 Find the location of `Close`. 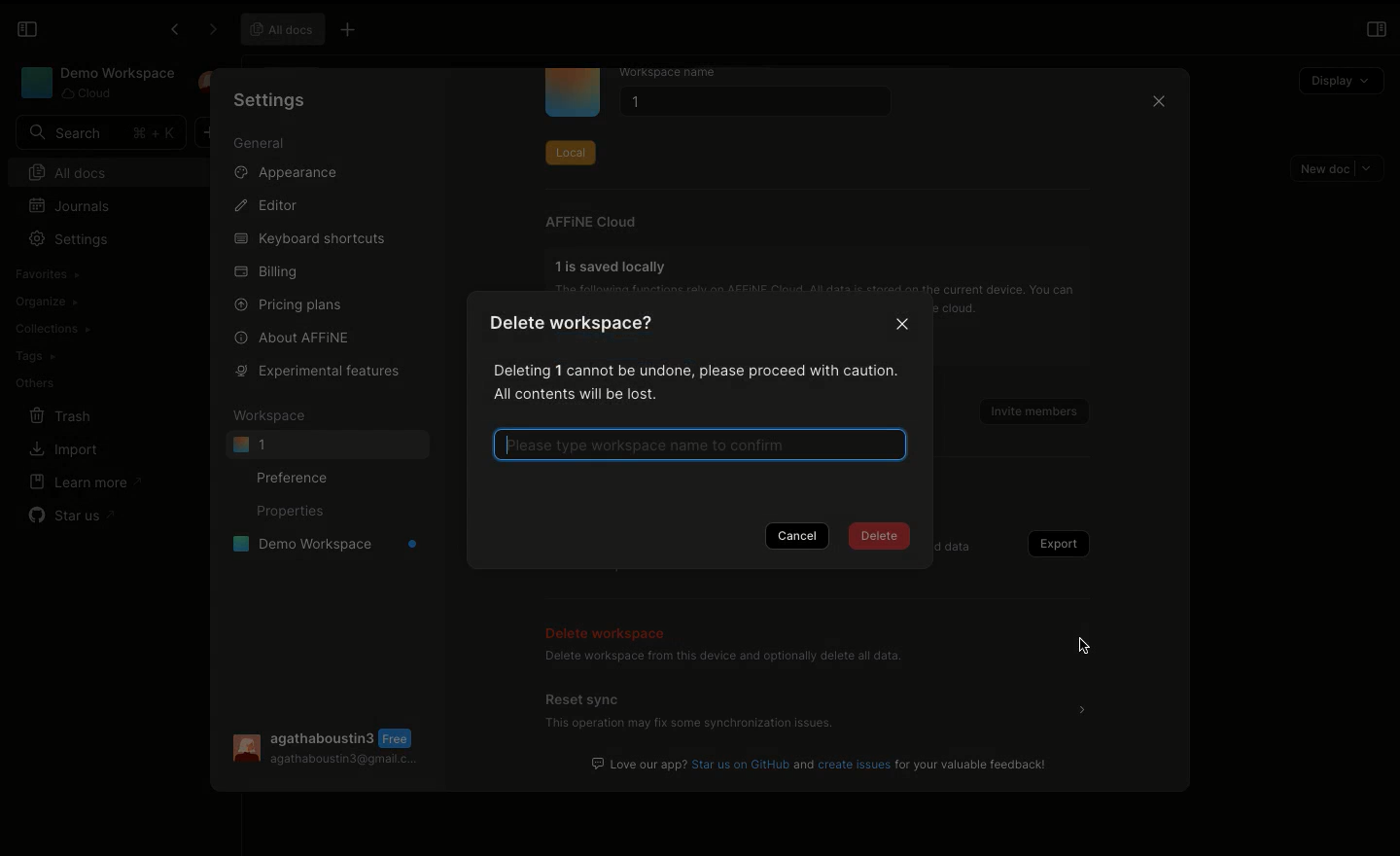

Close is located at coordinates (1157, 104).